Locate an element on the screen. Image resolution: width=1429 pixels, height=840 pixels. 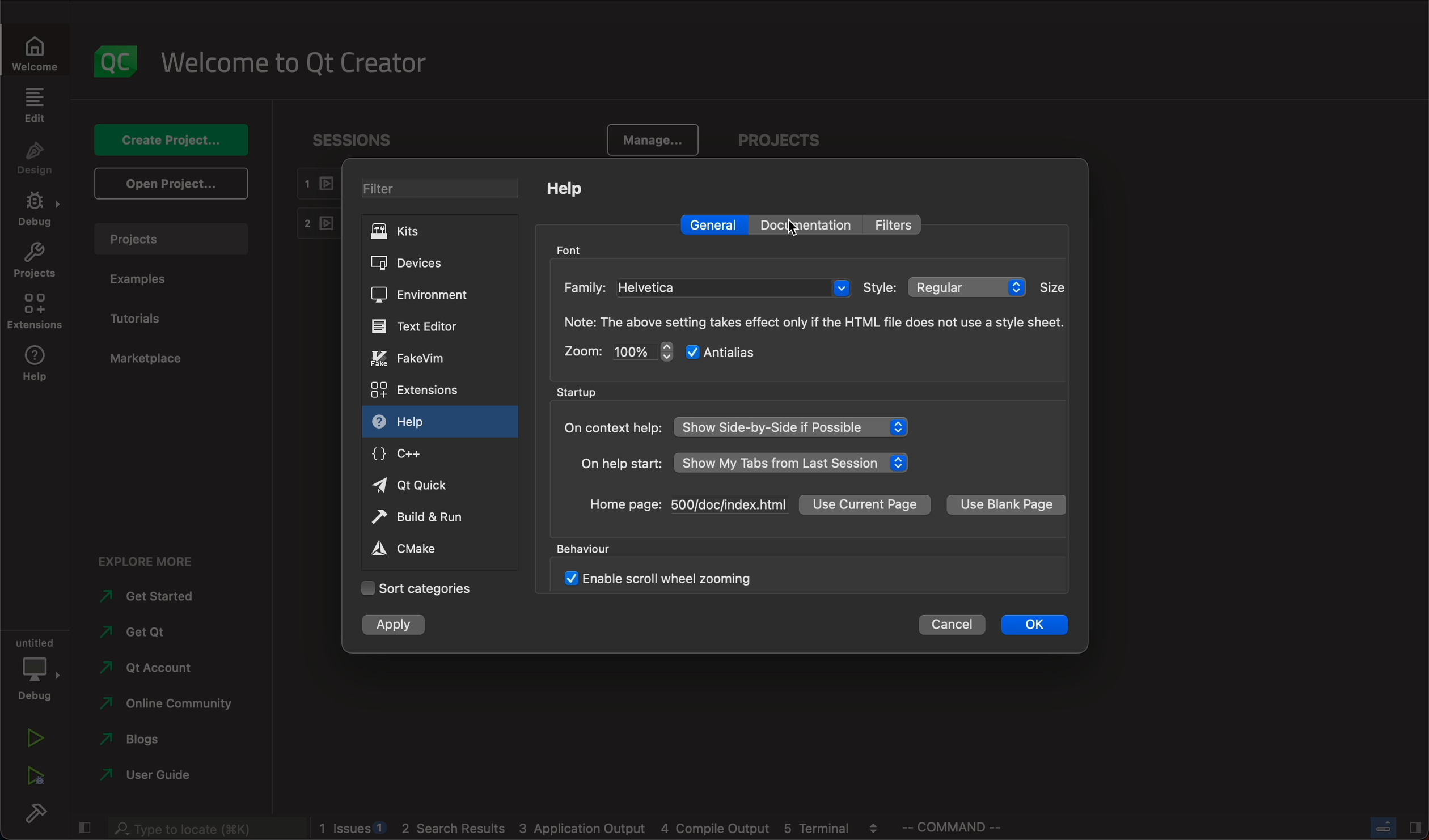
kits is located at coordinates (445, 234).